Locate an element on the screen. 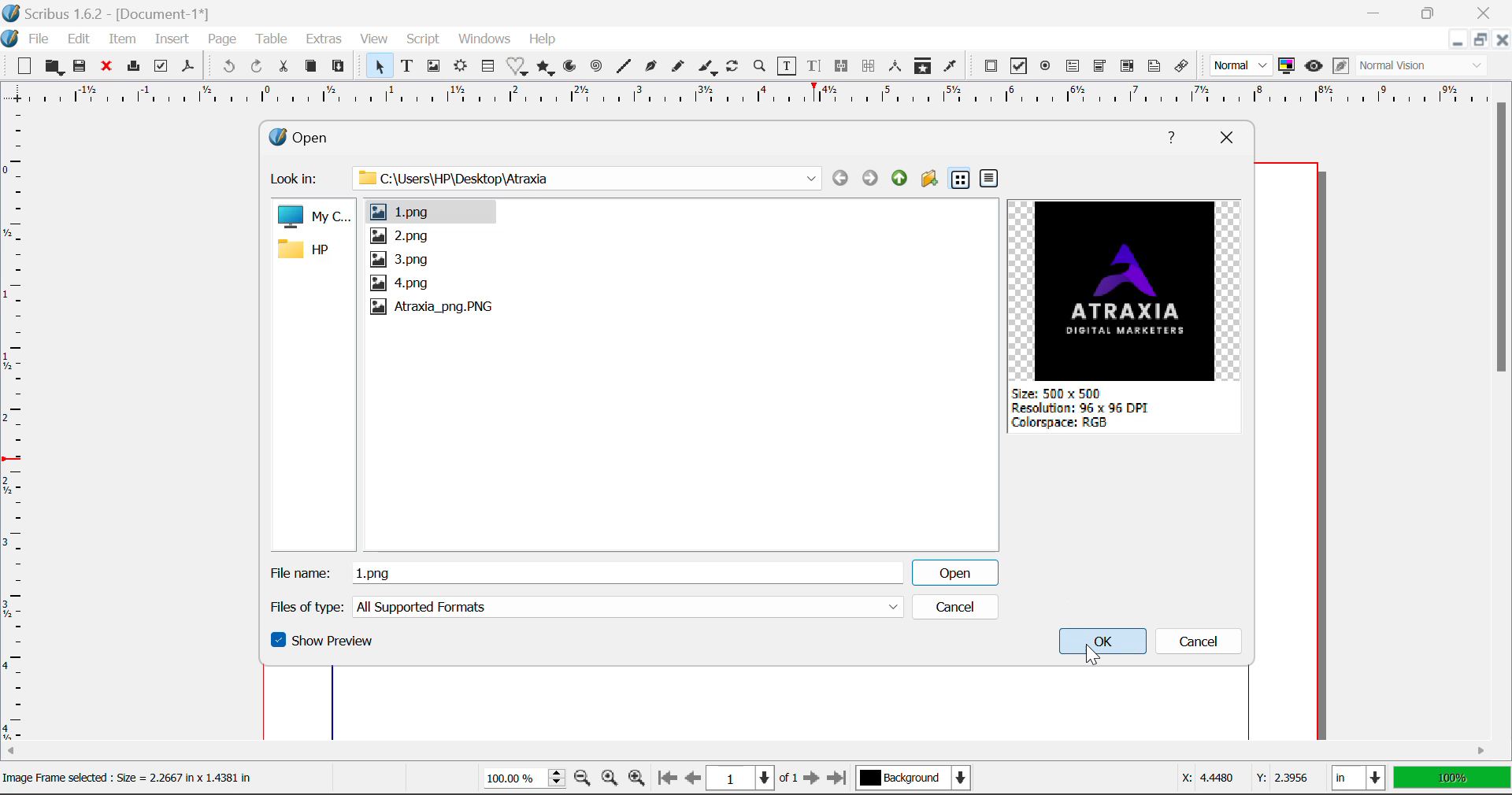 This screenshot has height=795, width=1512. Scribus Logo is located at coordinates (9, 39).